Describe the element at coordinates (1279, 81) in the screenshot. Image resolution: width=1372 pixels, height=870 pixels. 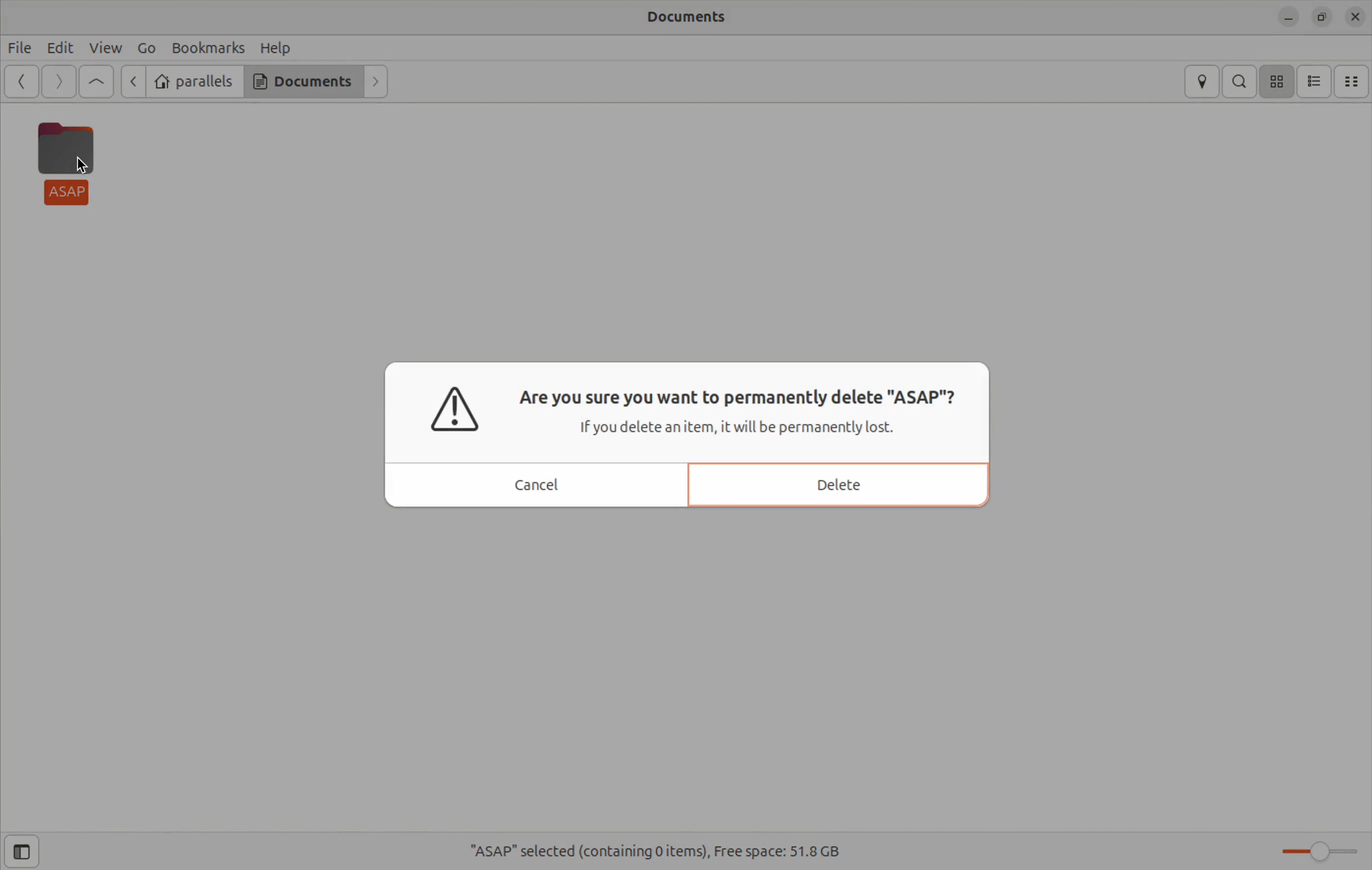
I see `icon view` at that location.